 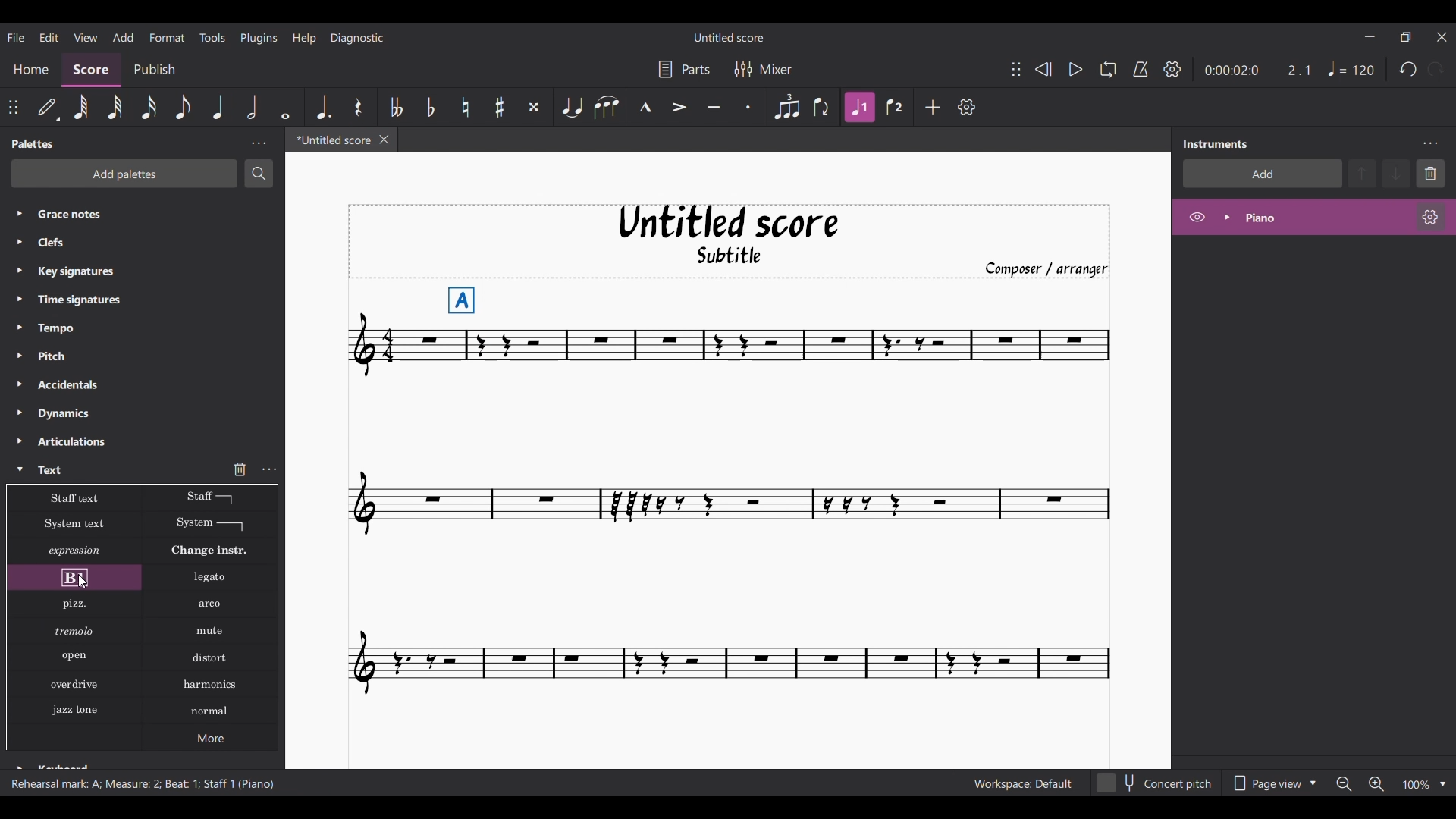 I want to click on Current selection, so click(x=481, y=345).